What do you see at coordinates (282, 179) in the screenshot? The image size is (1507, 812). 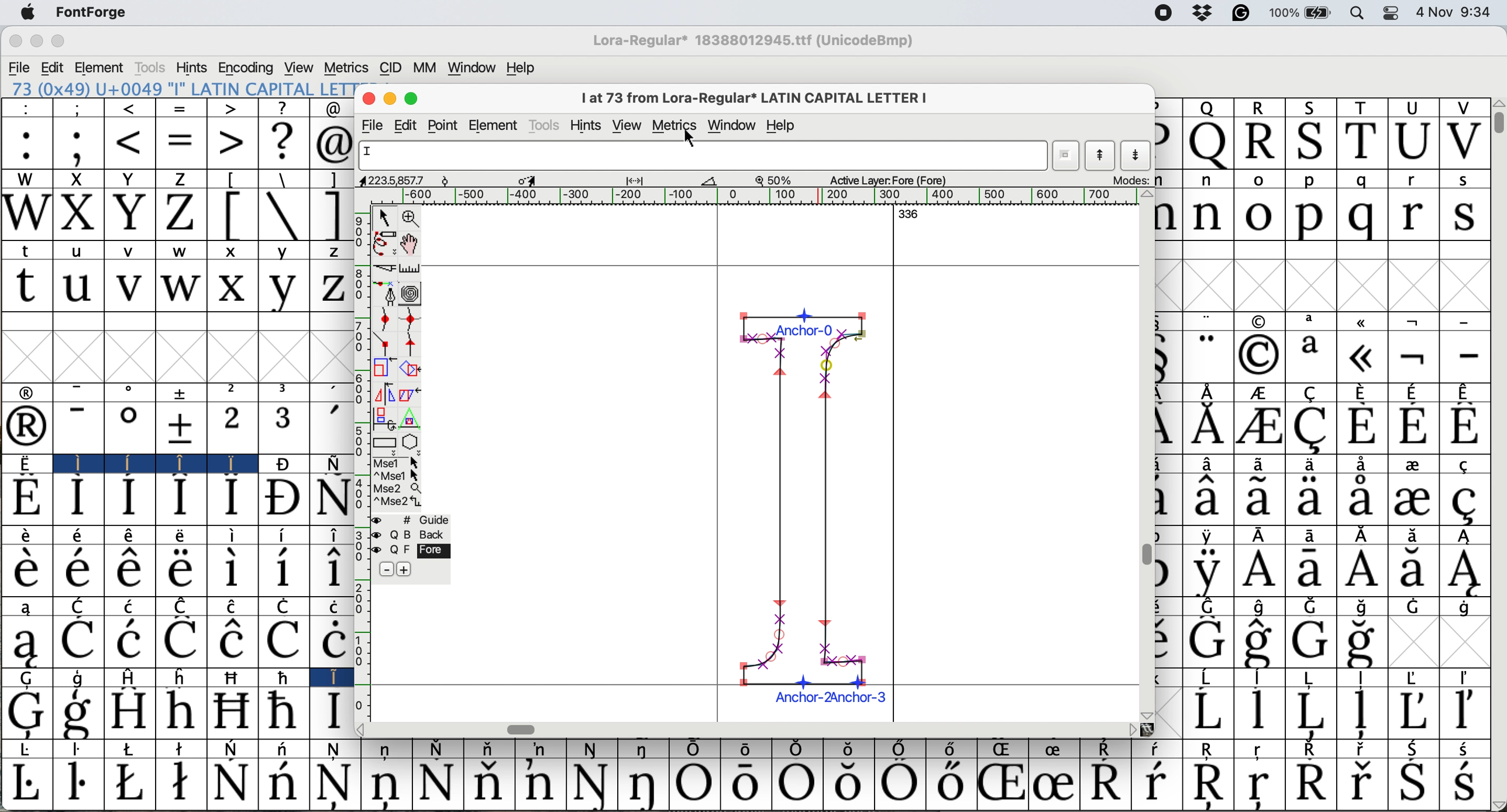 I see `\` at bounding box center [282, 179].